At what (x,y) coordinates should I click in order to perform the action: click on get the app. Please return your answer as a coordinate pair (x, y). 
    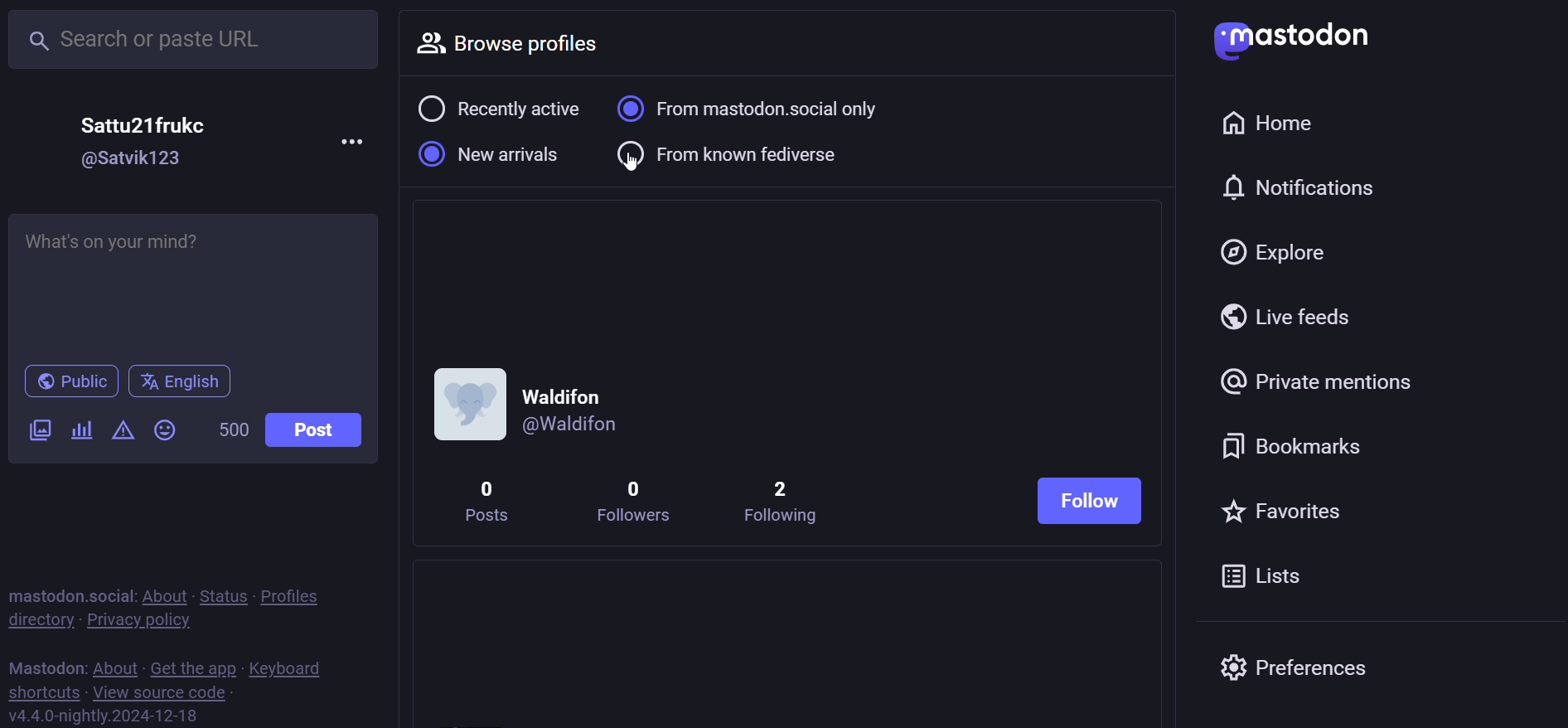
    Looking at the image, I should click on (193, 667).